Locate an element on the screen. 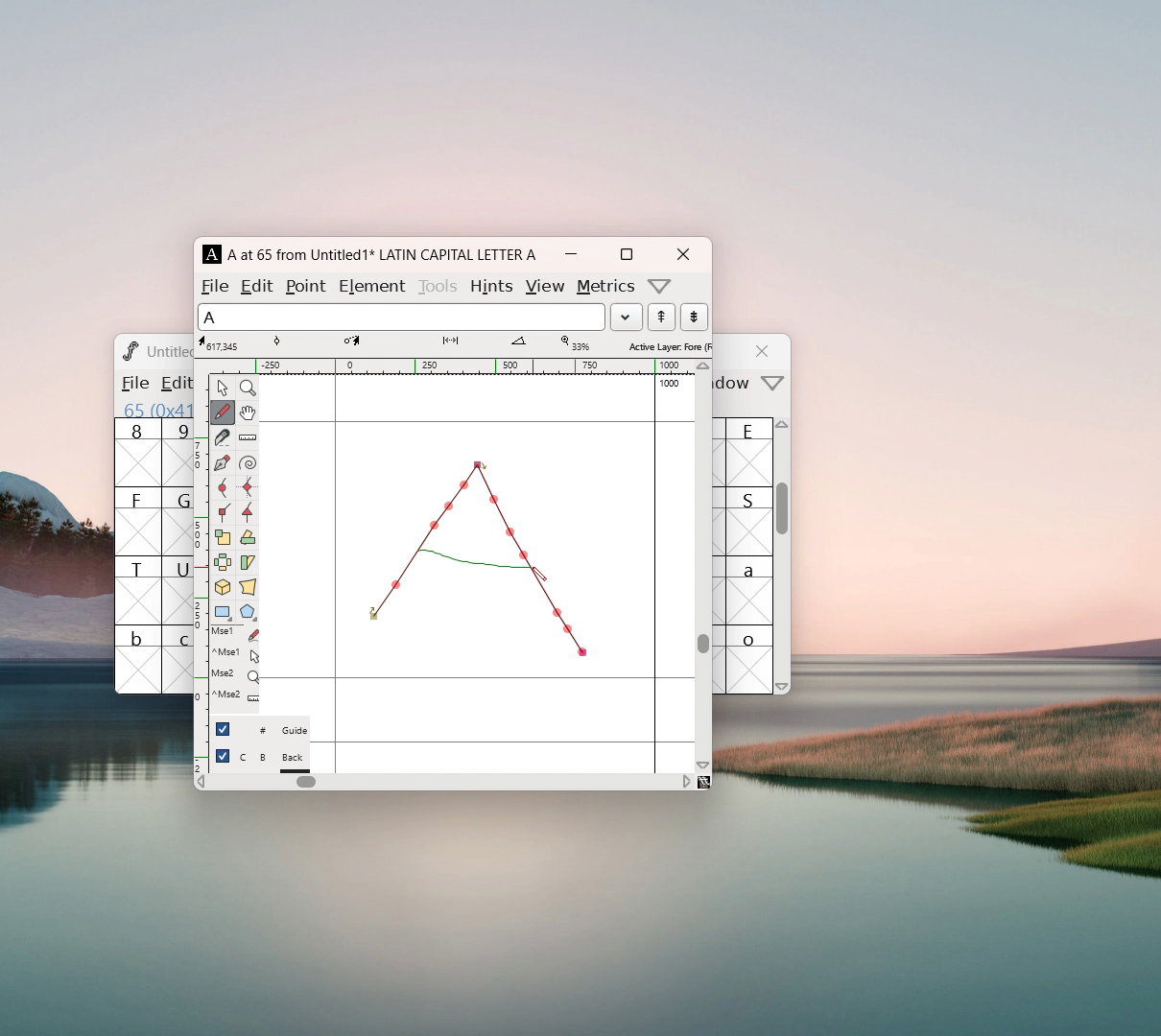  more options is located at coordinates (660, 286).